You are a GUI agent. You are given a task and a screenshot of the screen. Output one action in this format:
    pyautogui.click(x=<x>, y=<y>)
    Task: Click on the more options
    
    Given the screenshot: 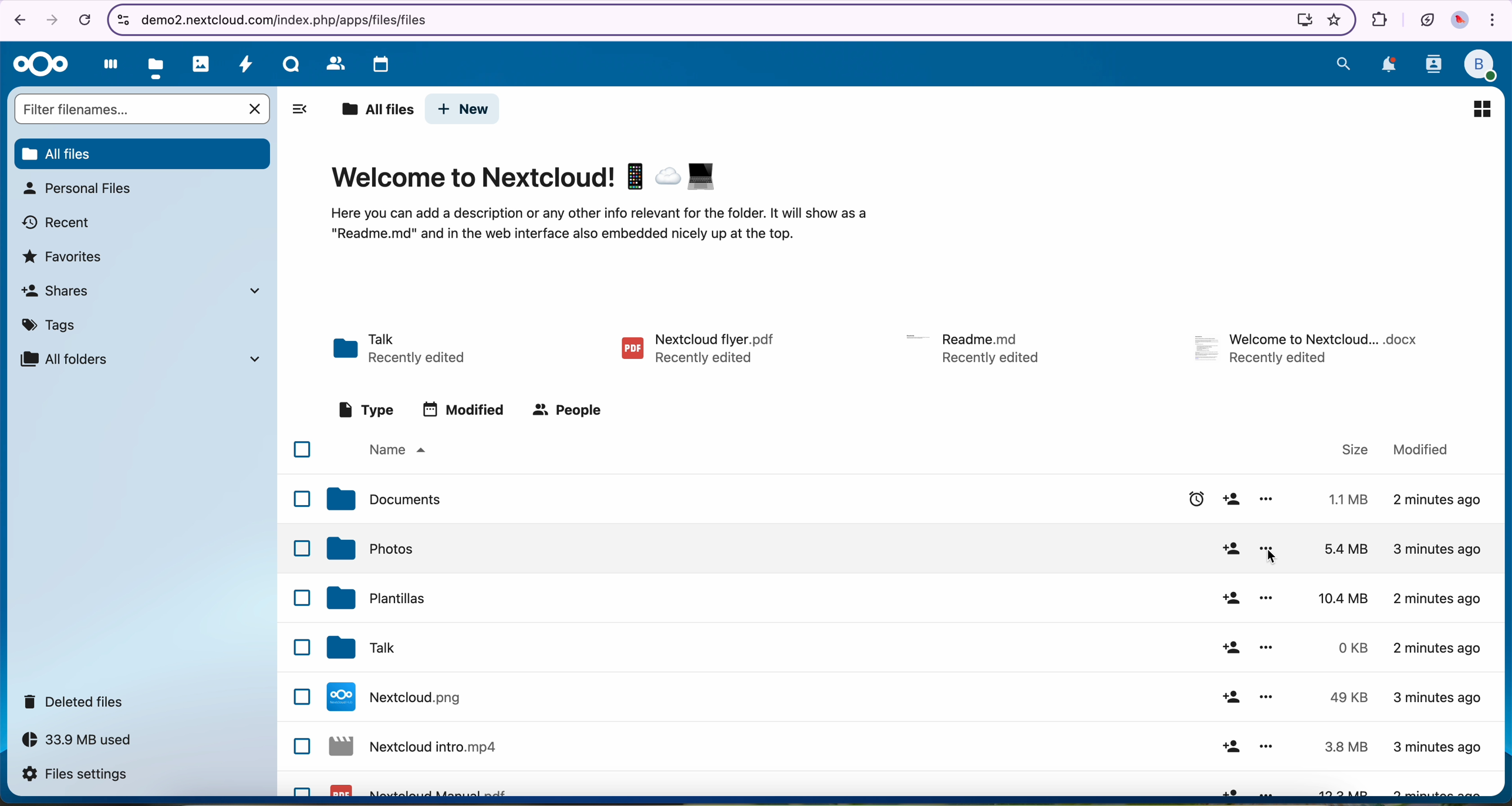 What is the action you would take?
    pyautogui.click(x=1268, y=600)
    